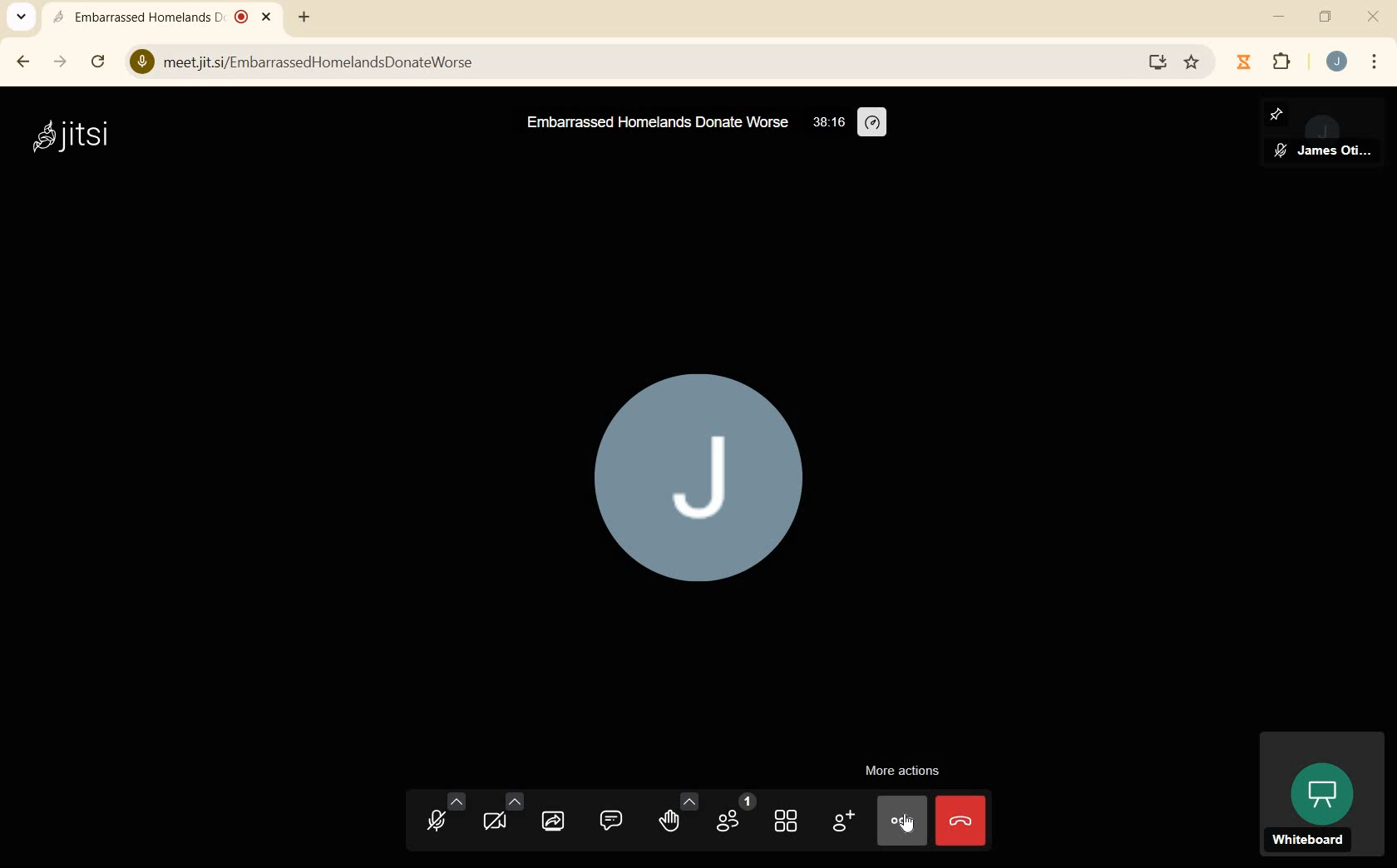 The height and width of the screenshot is (868, 1397). I want to click on system name, so click(71, 138).